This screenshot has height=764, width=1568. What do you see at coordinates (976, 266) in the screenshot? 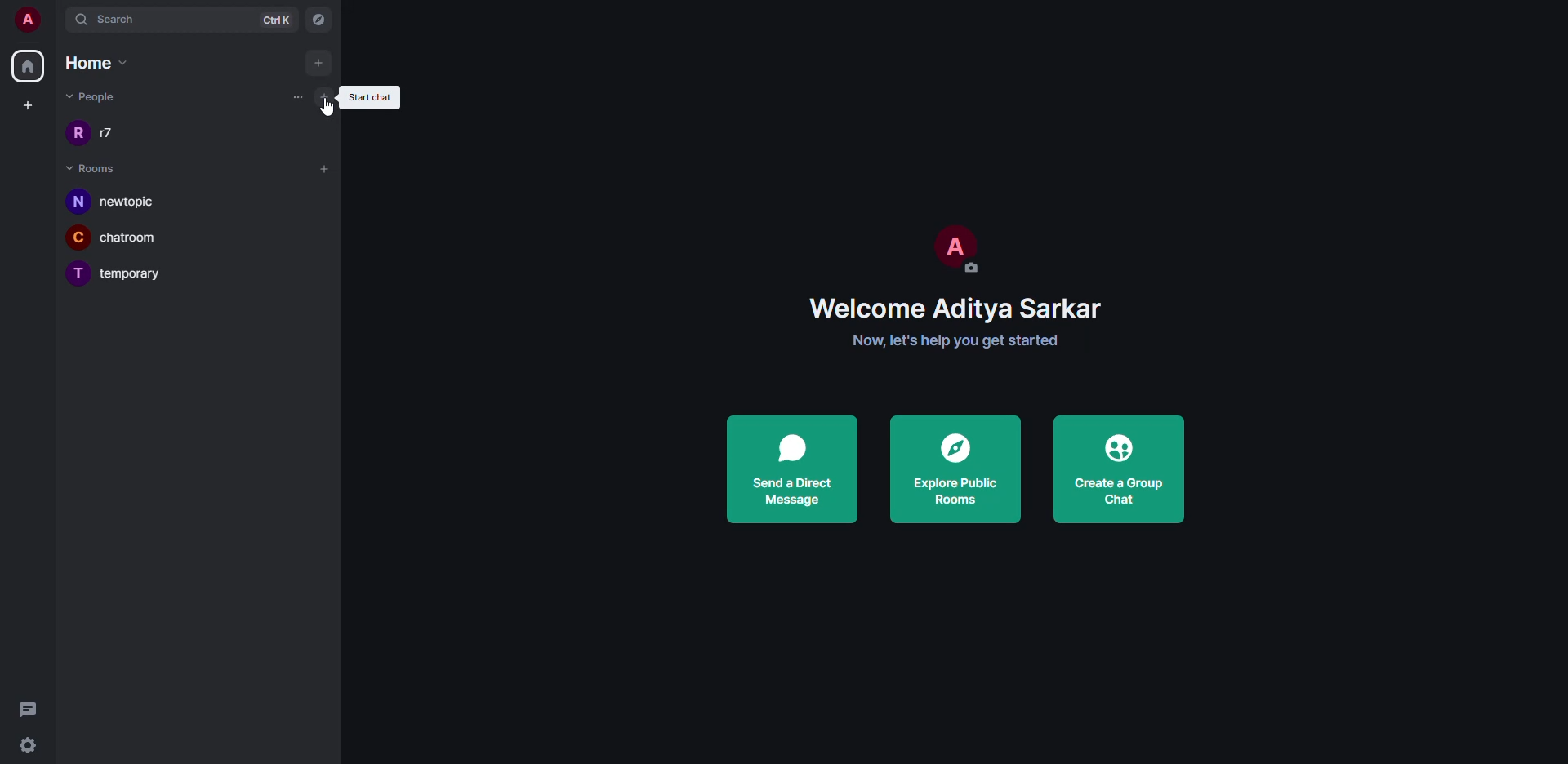
I see `edit` at bounding box center [976, 266].